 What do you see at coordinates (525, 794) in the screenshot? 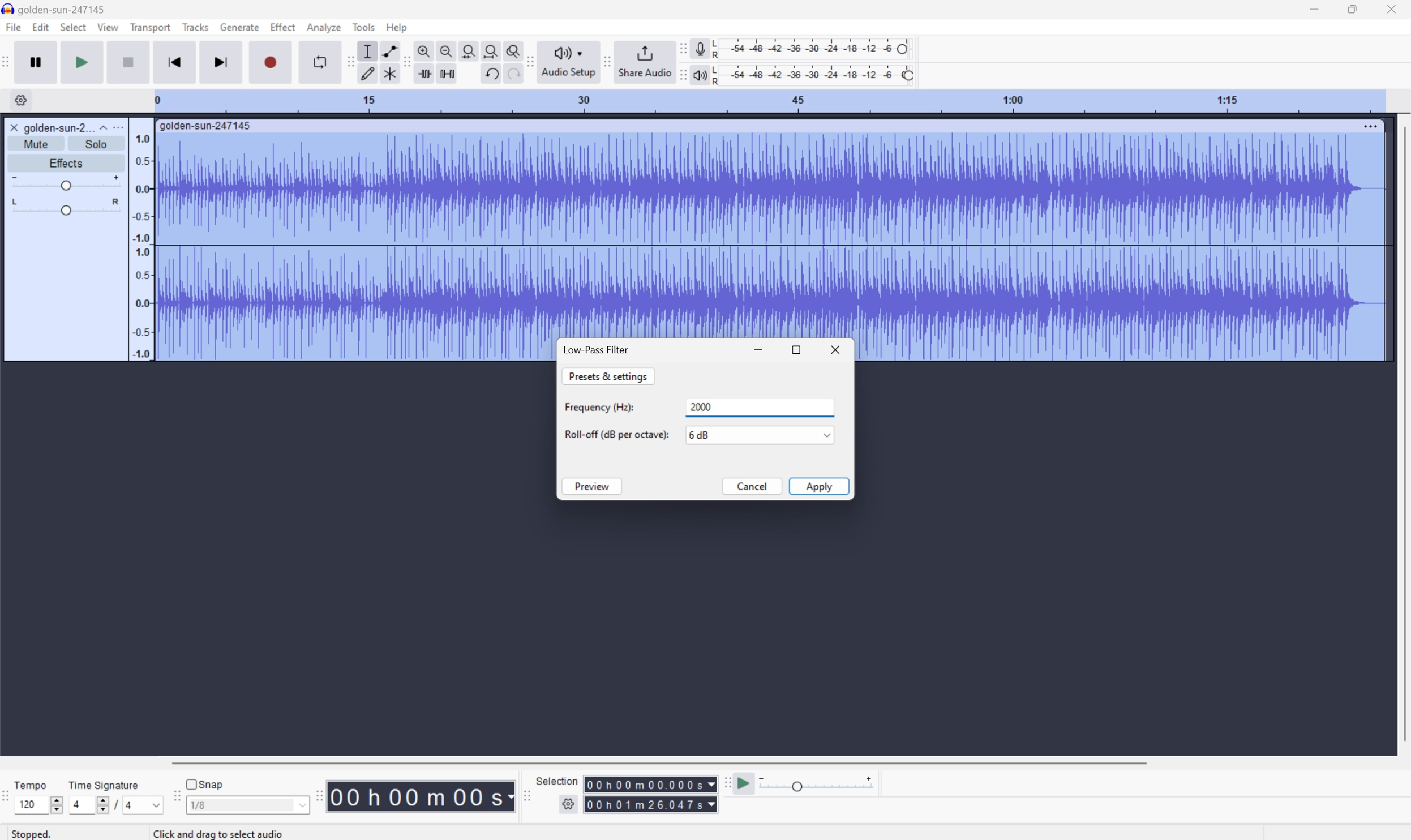
I see `Audacity selection toolbar` at bounding box center [525, 794].